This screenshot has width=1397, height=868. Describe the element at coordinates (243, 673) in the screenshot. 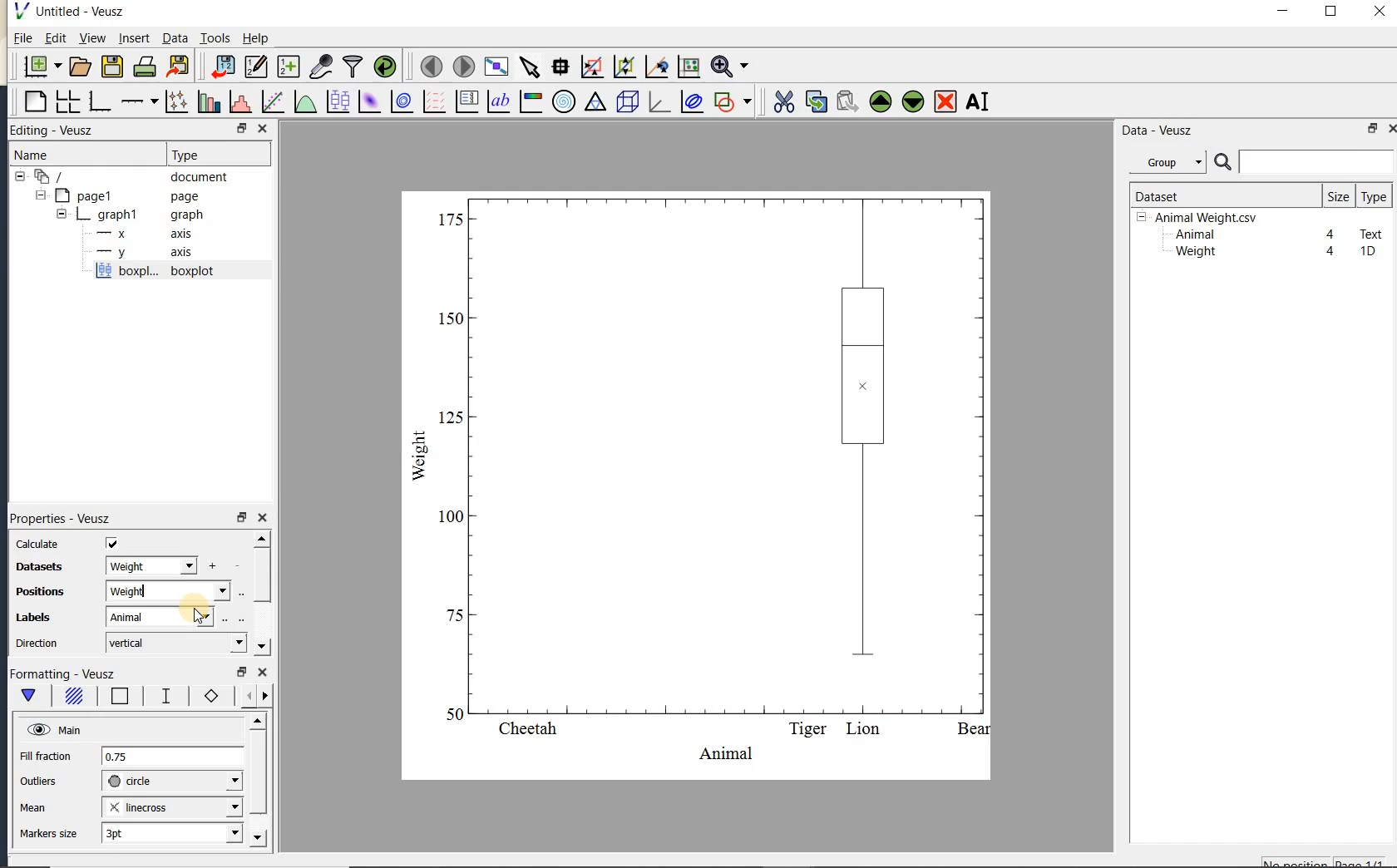

I see `restore` at that location.